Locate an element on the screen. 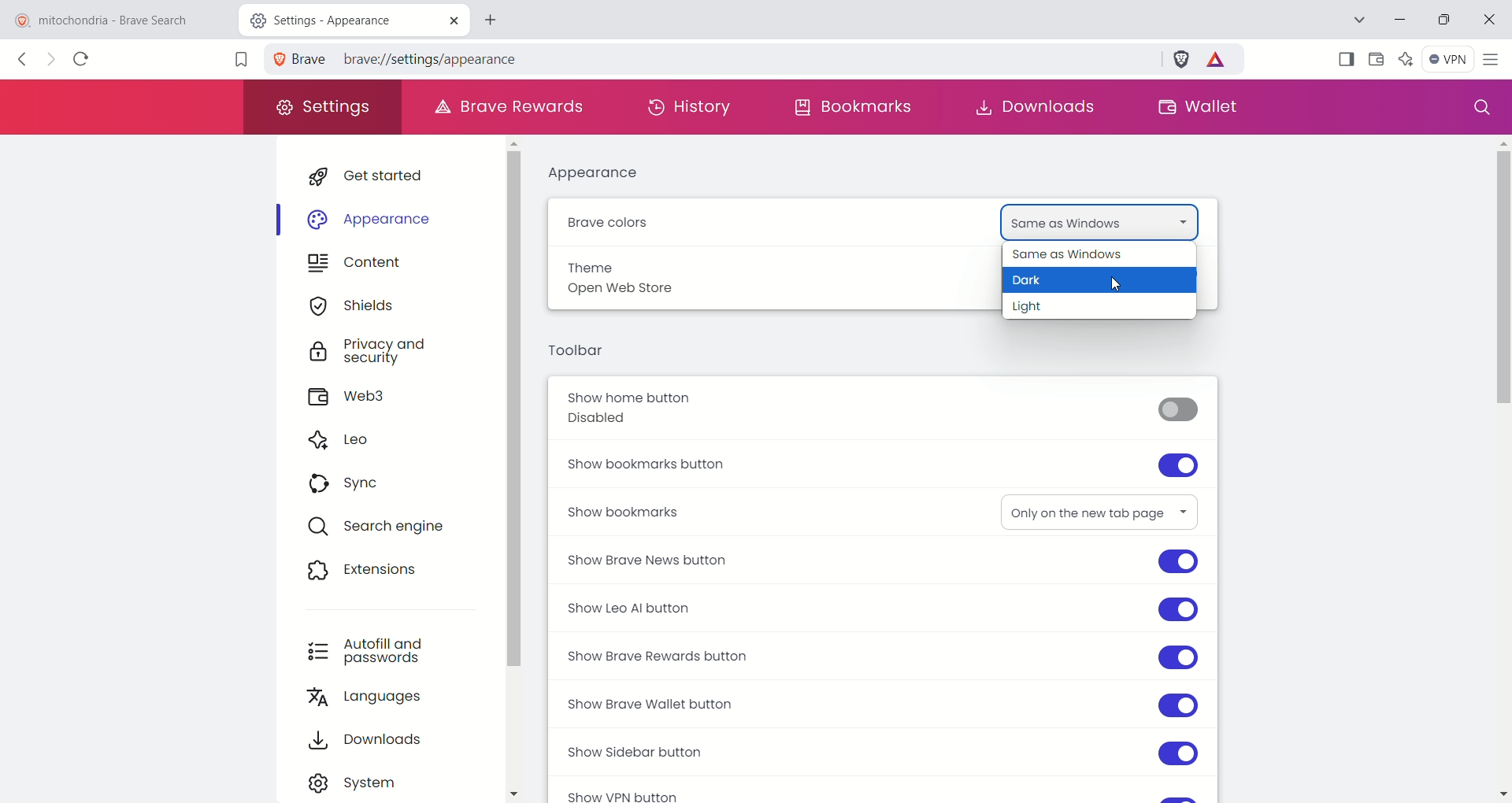 This screenshot has width=1512, height=803. cursor is located at coordinates (1114, 288).